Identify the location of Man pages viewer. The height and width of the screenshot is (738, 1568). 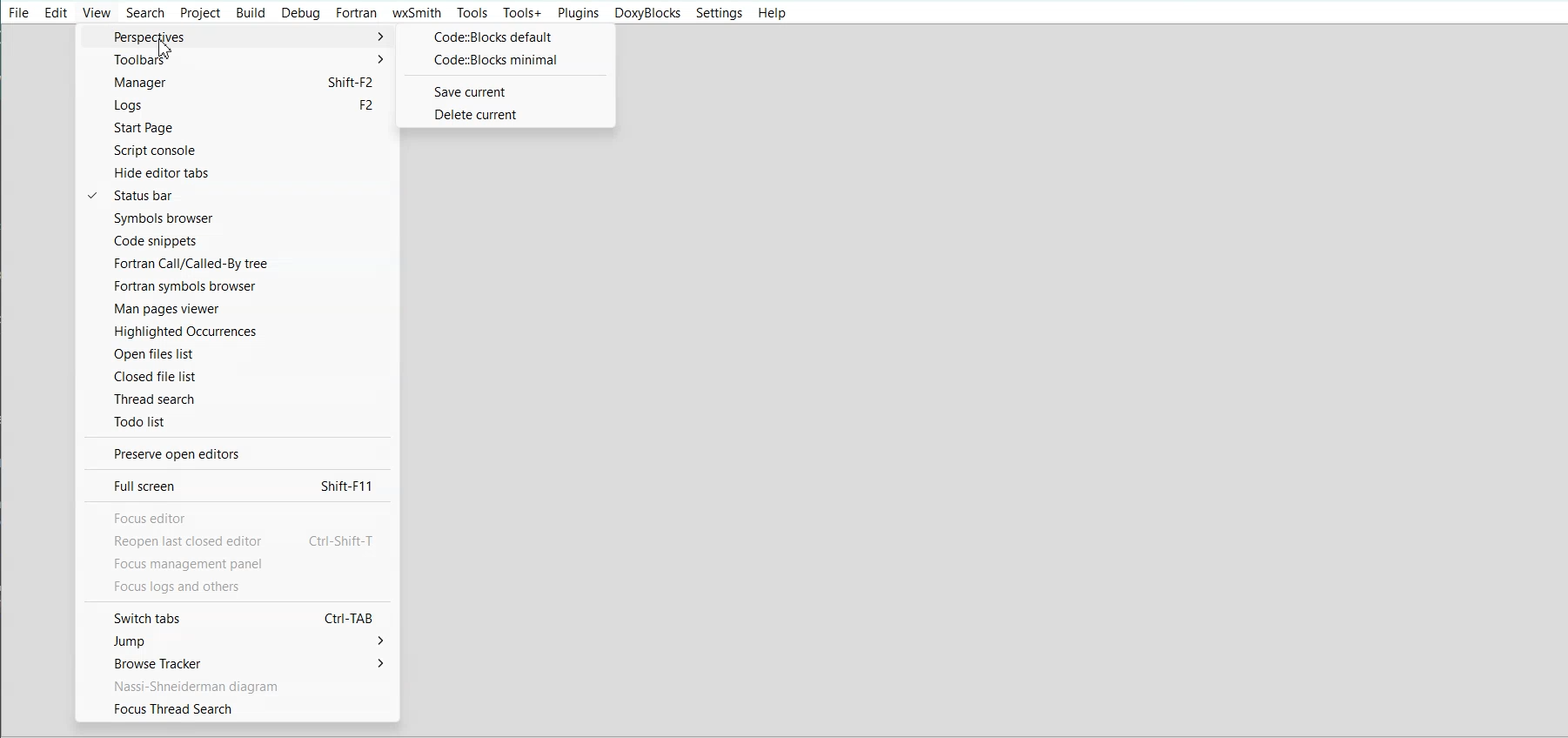
(236, 308).